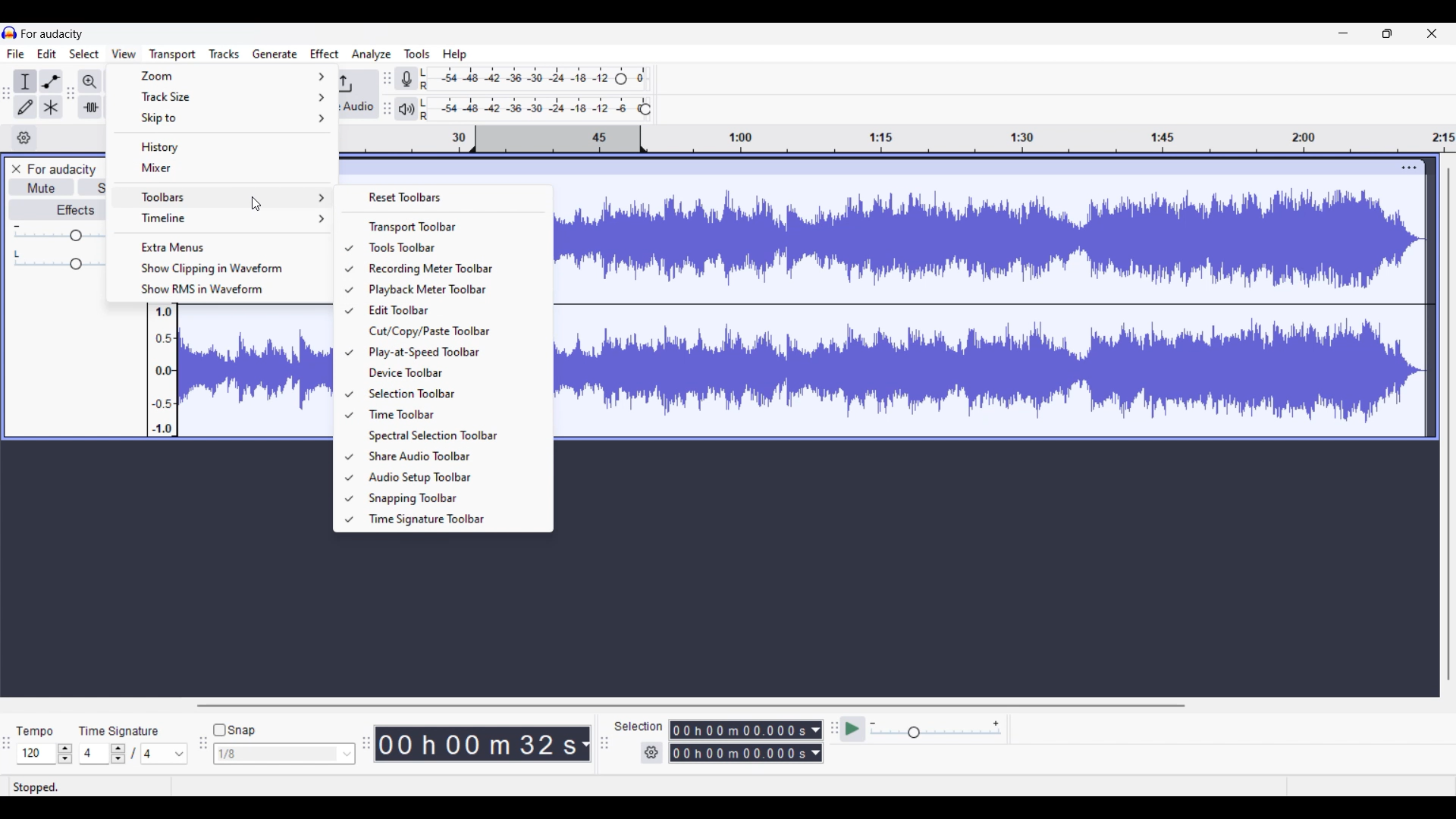  I want to click on Analyze menu, so click(372, 55).